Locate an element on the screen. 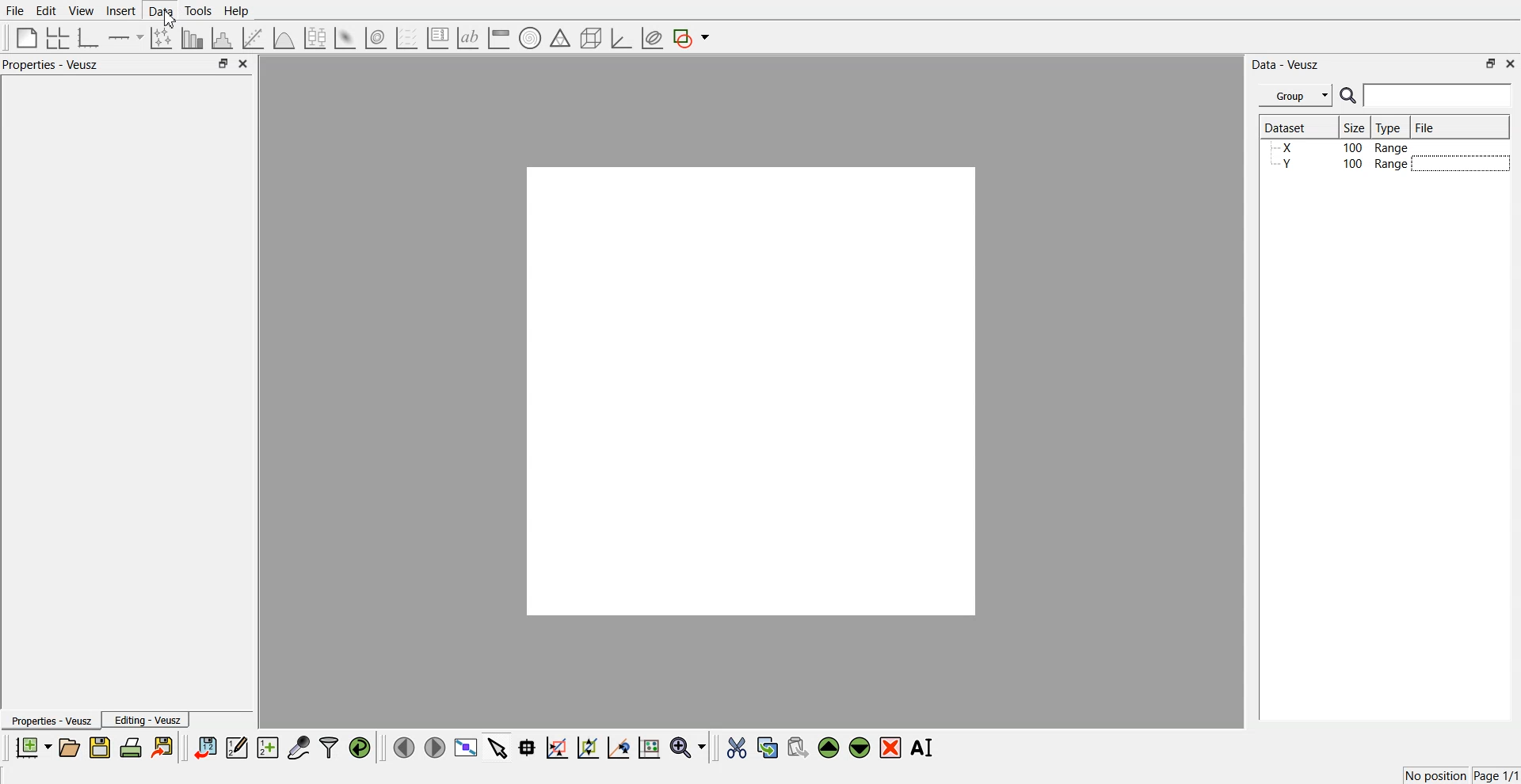 The height and width of the screenshot is (784, 1521). Paste widget from the clipboard is located at coordinates (798, 746).